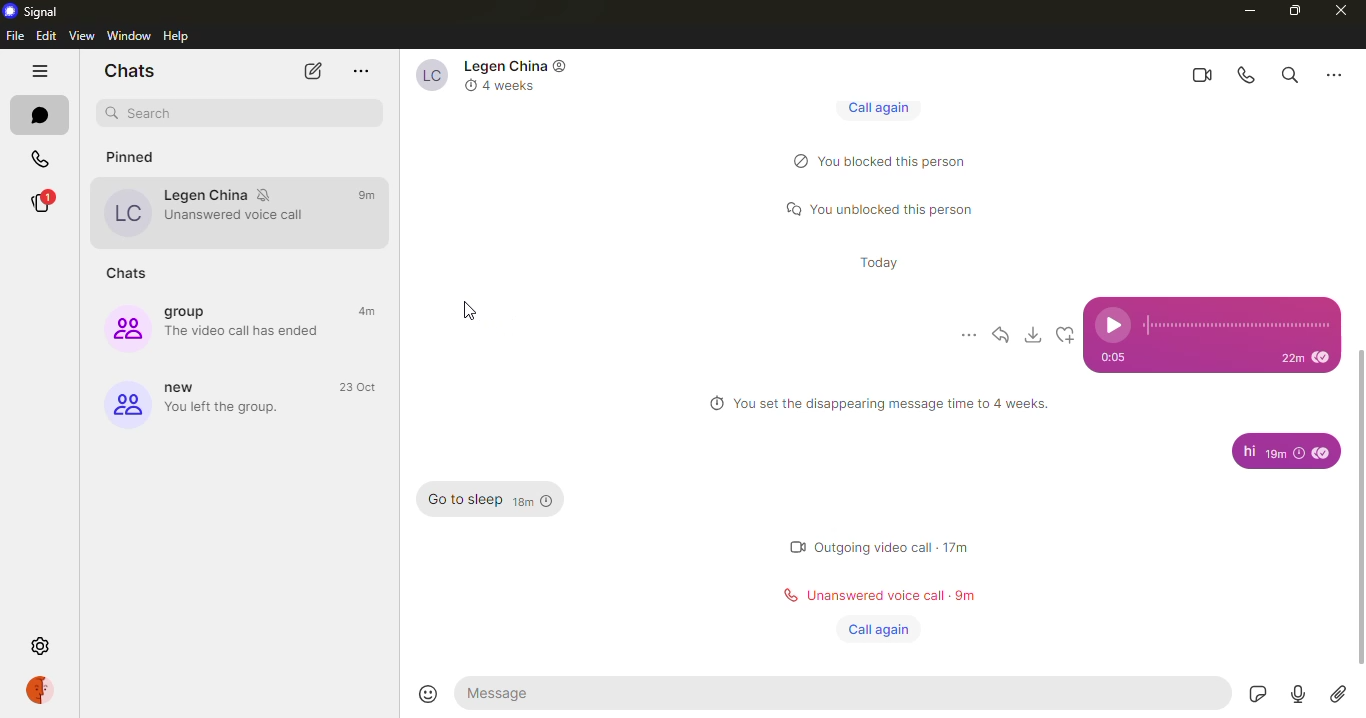 The image size is (1366, 718). Describe the element at coordinates (537, 502) in the screenshot. I see `time` at that location.